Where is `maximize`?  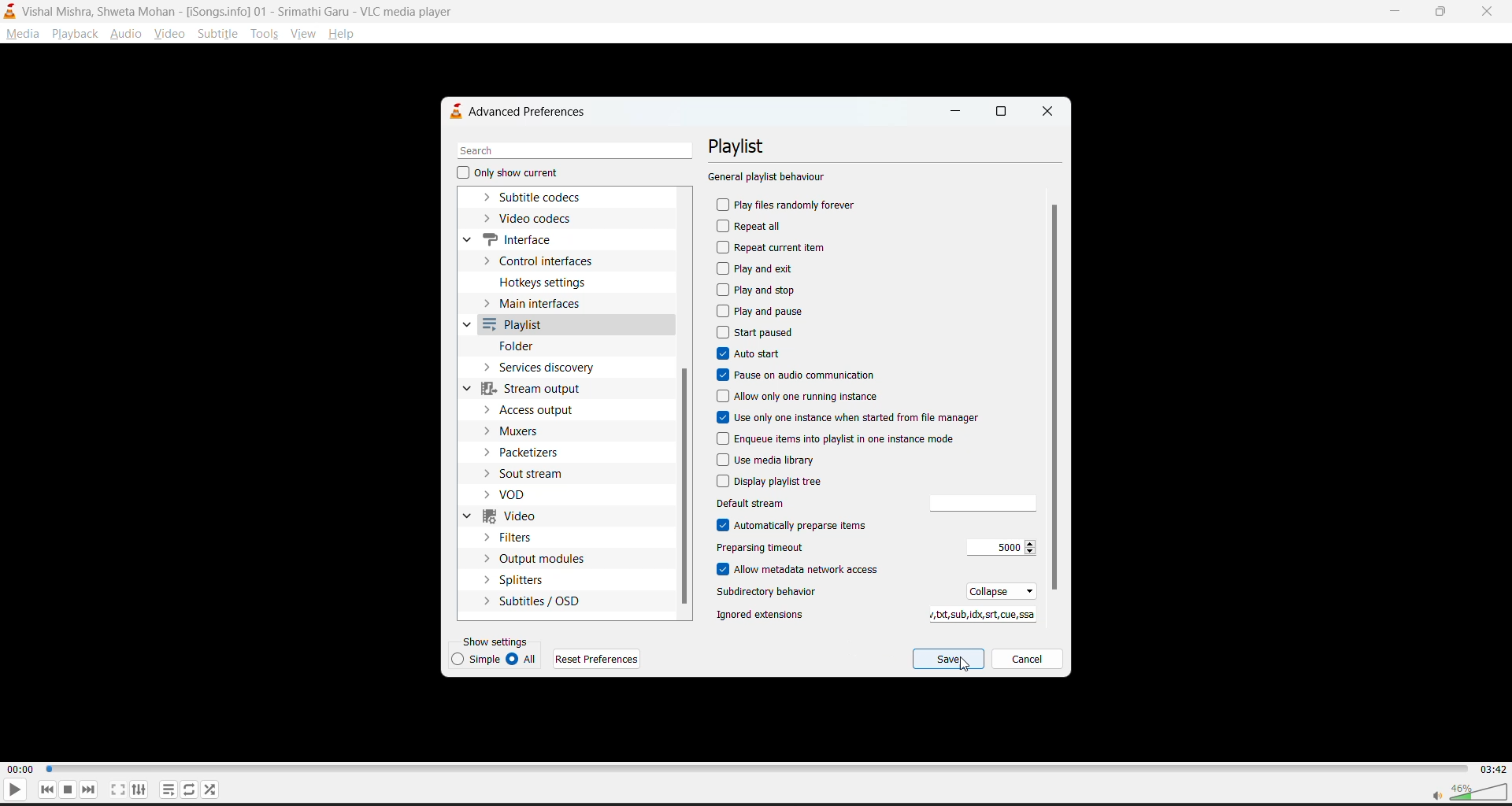
maximize is located at coordinates (999, 111).